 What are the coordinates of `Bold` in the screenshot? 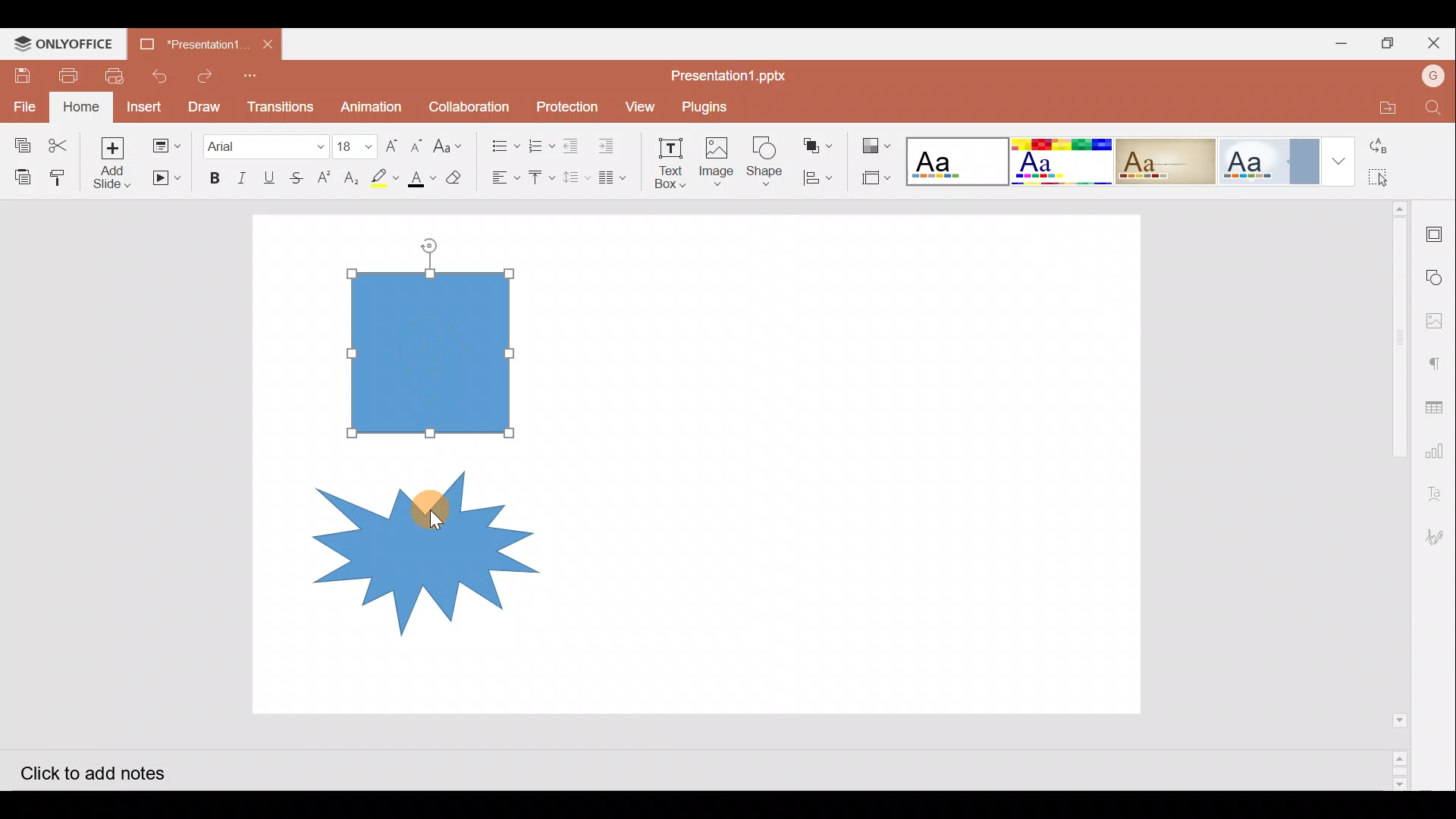 It's located at (213, 175).